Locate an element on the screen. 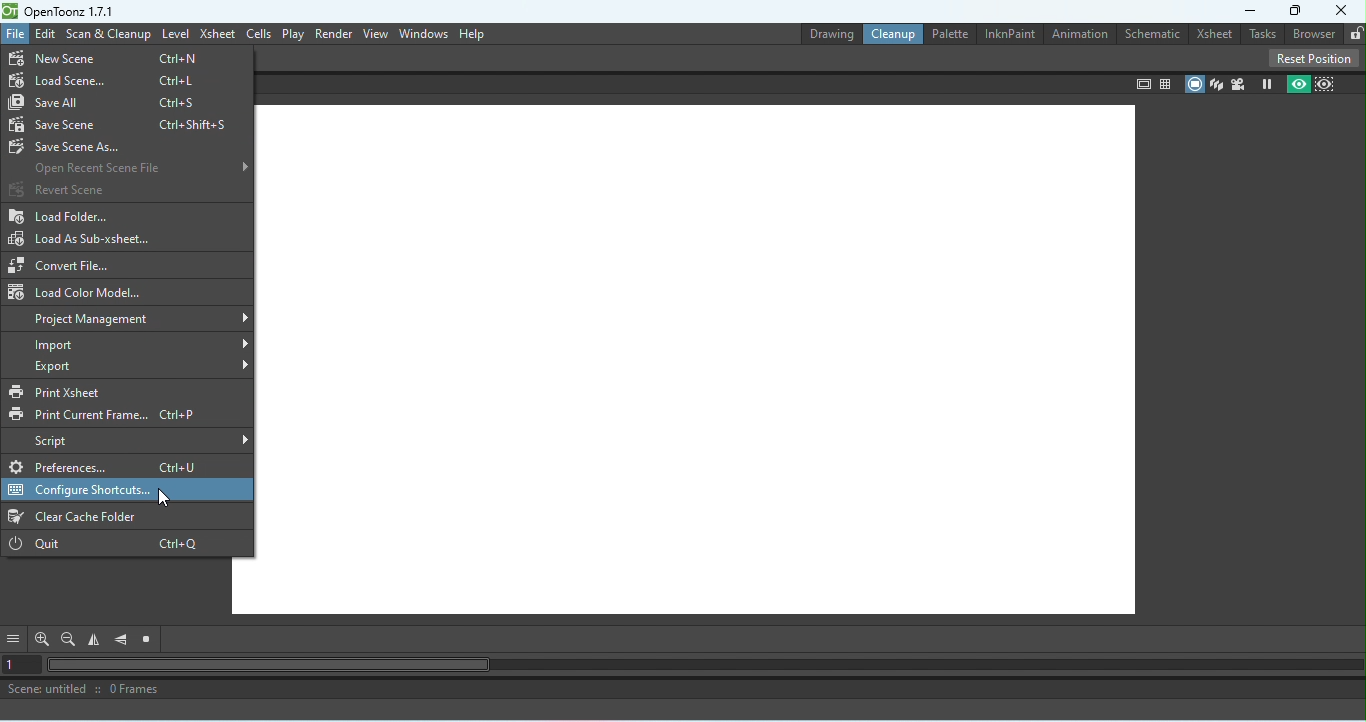 The width and height of the screenshot is (1366, 722). Cursor is located at coordinates (164, 498).